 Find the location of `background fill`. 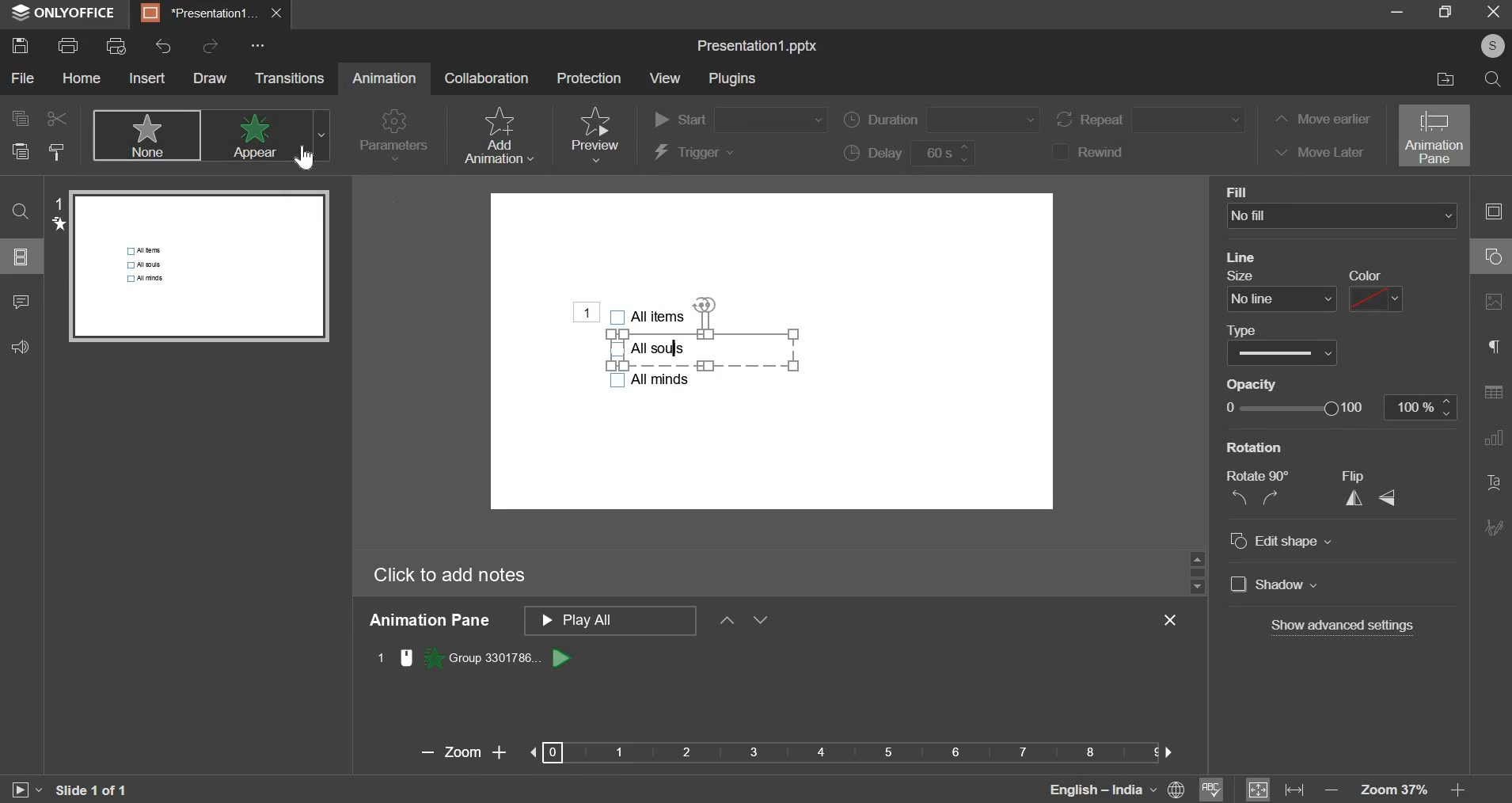

background fill is located at coordinates (1344, 215).